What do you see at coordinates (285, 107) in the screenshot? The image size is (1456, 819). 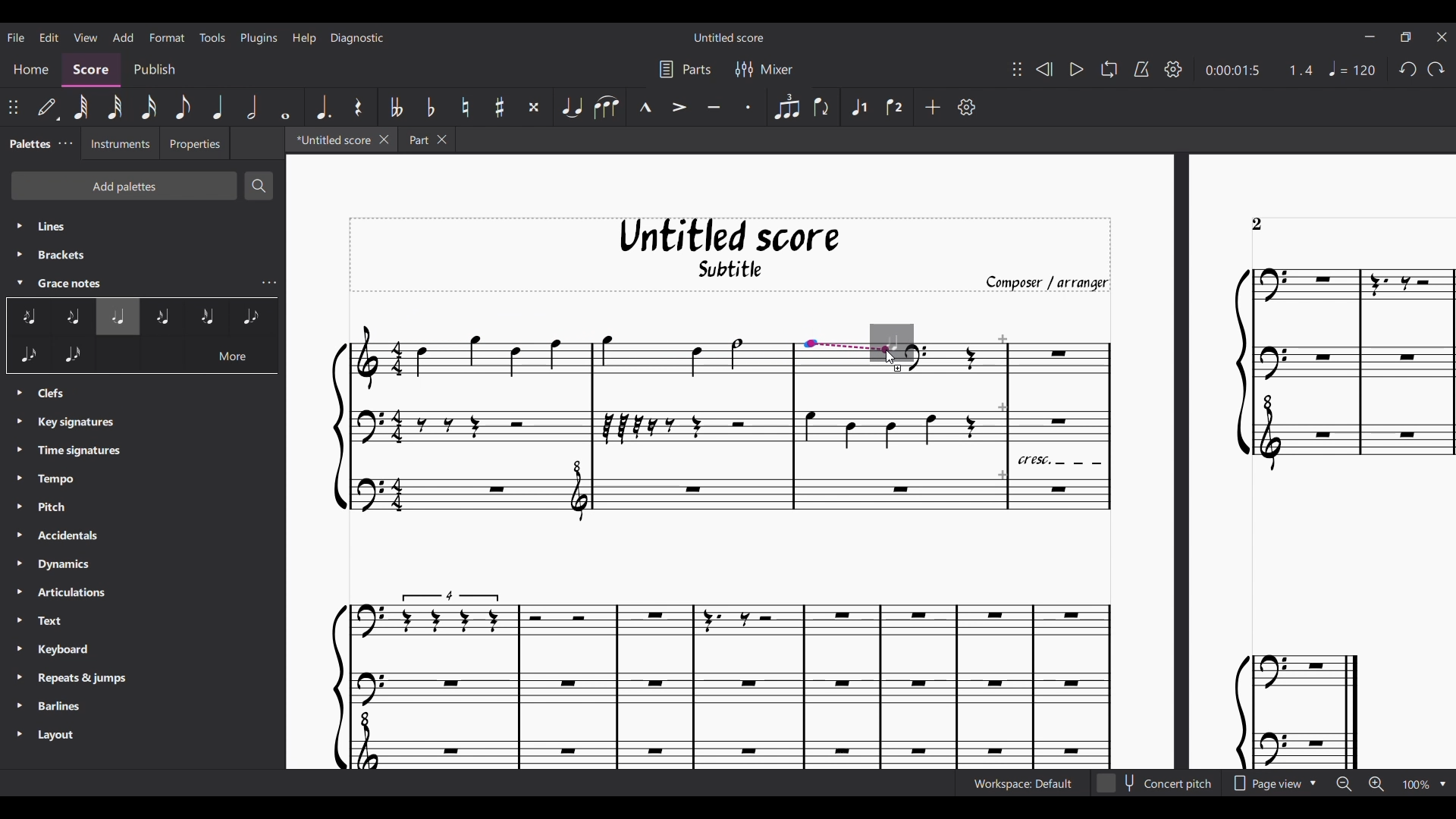 I see `Whole note` at bounding box center [285, 107].